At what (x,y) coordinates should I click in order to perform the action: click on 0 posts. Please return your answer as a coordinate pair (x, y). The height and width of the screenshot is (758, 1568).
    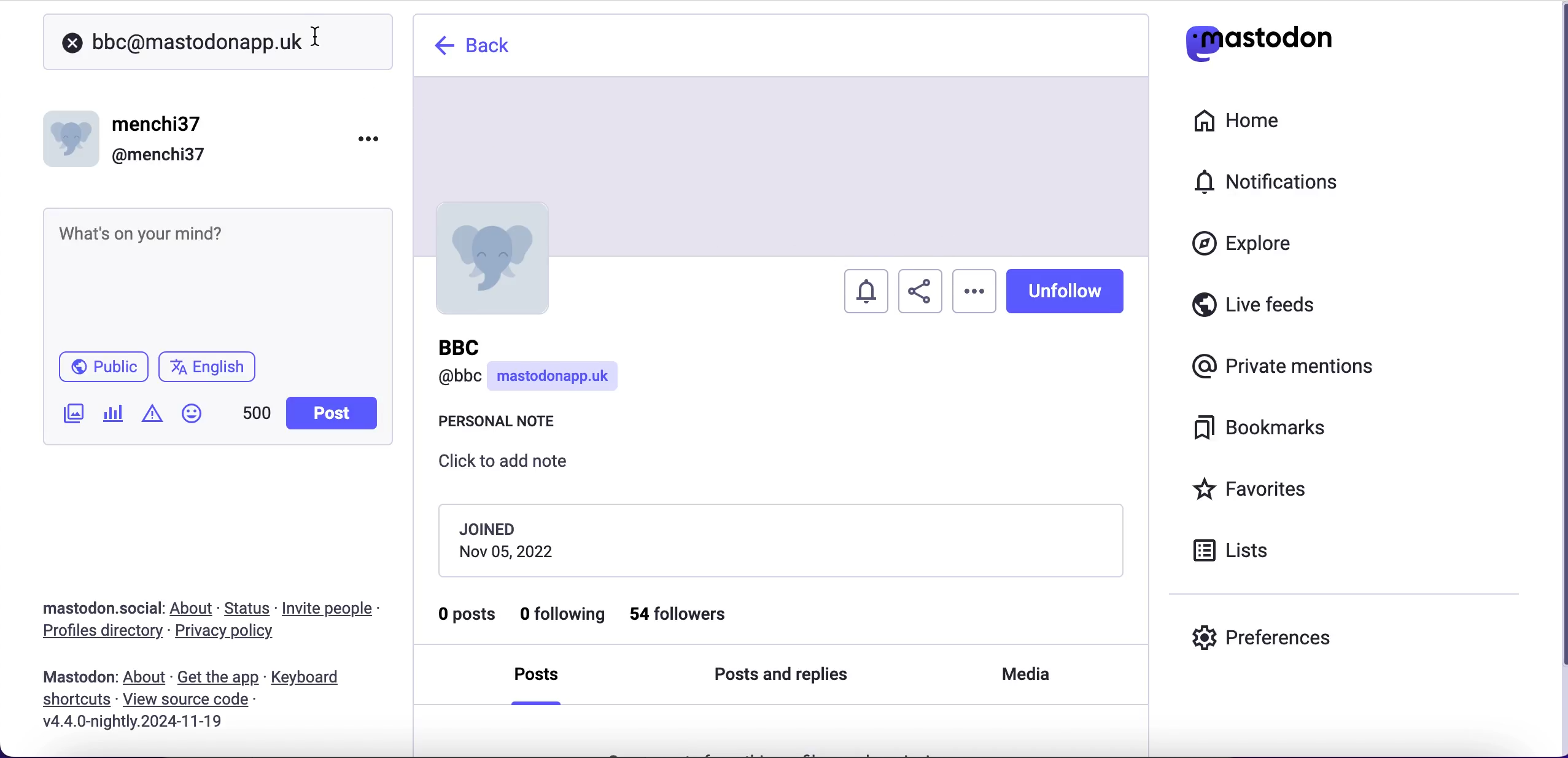
    Looking at the image, I should click on (468, 619).